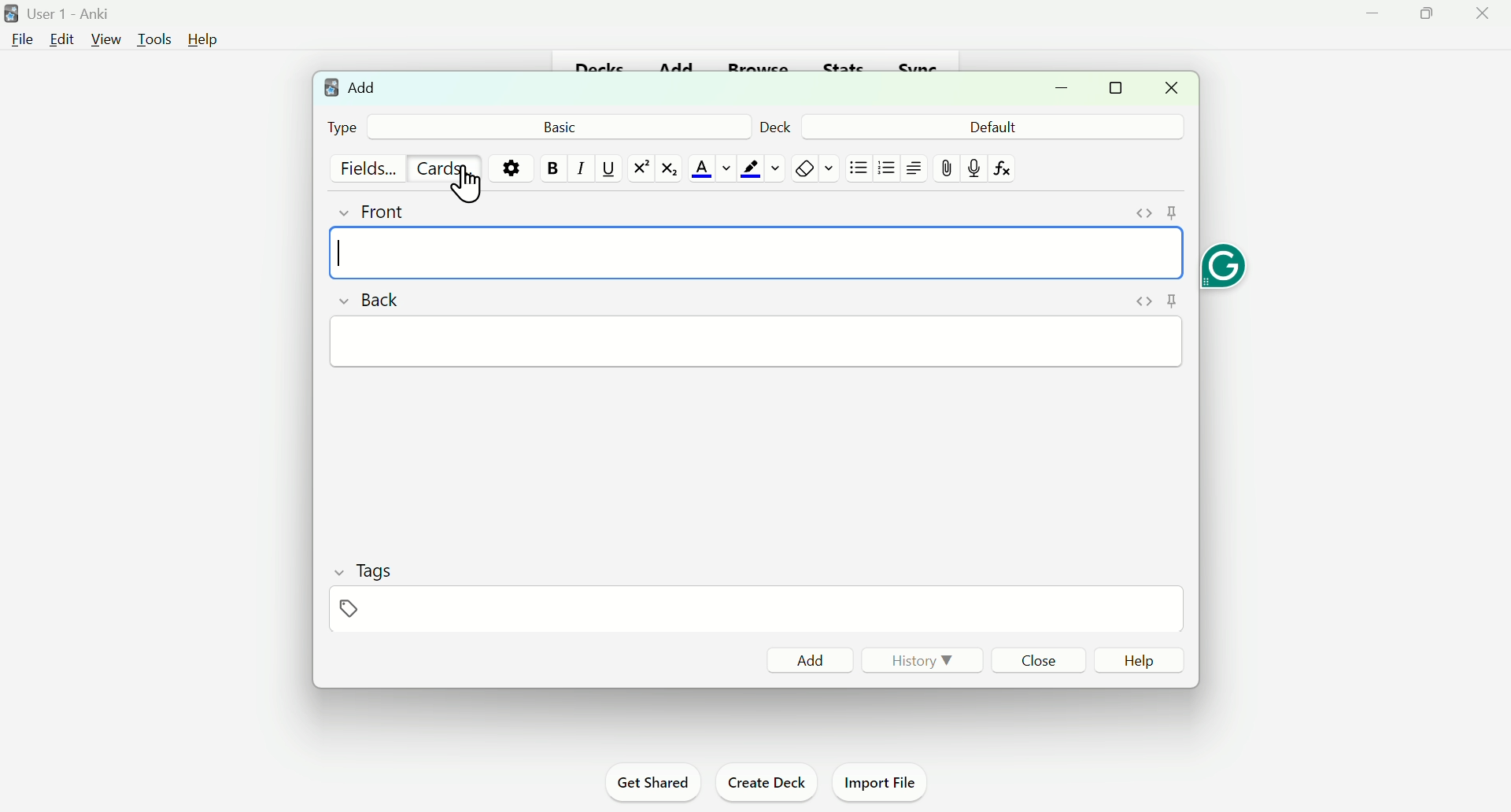 The width and height of the screenshot is (1511, 812). I want to click on toggle, so click(1143, 301).